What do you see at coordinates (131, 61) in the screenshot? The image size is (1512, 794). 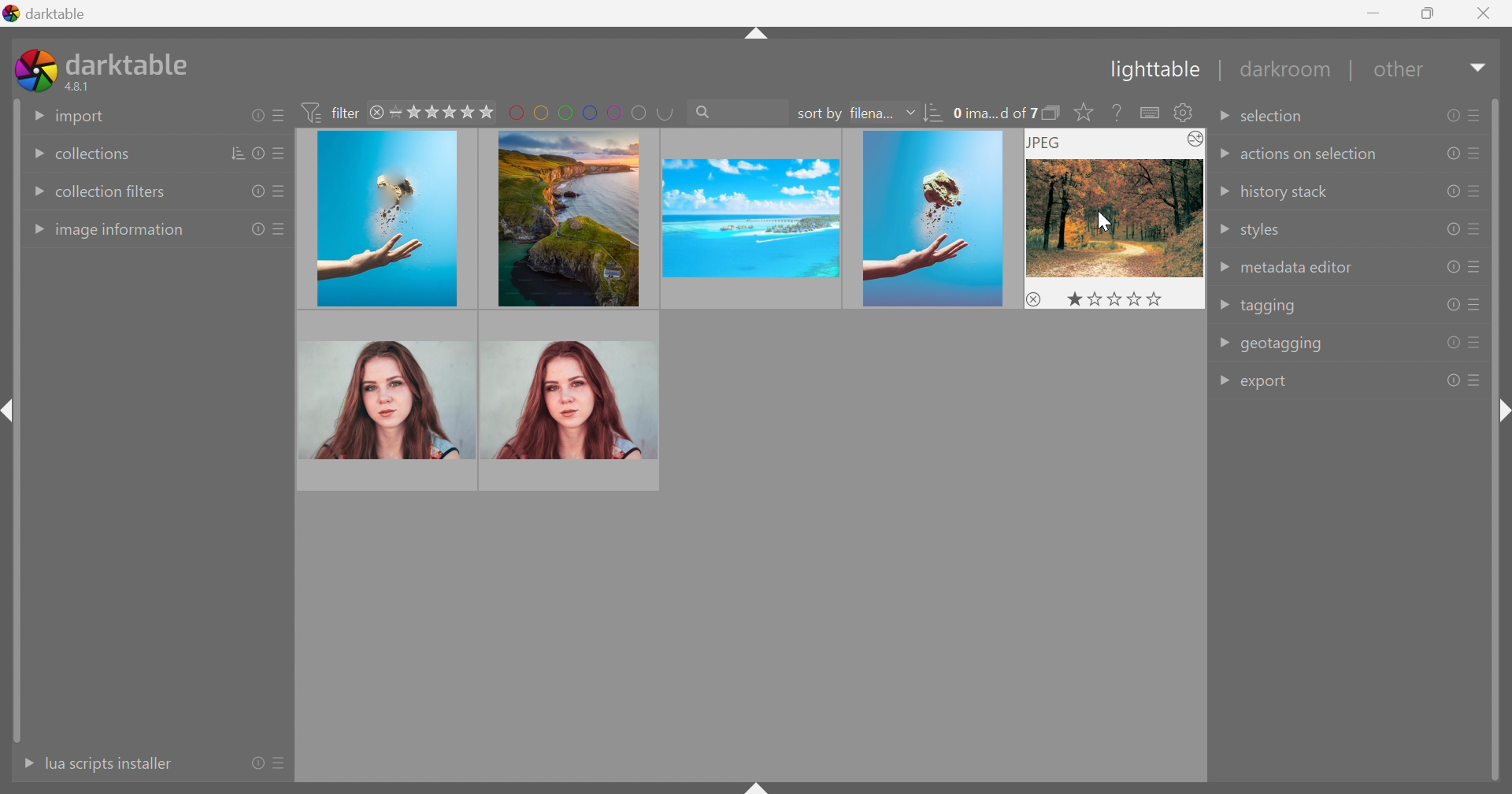 I see `darktable` at bounding box center [131, 61].